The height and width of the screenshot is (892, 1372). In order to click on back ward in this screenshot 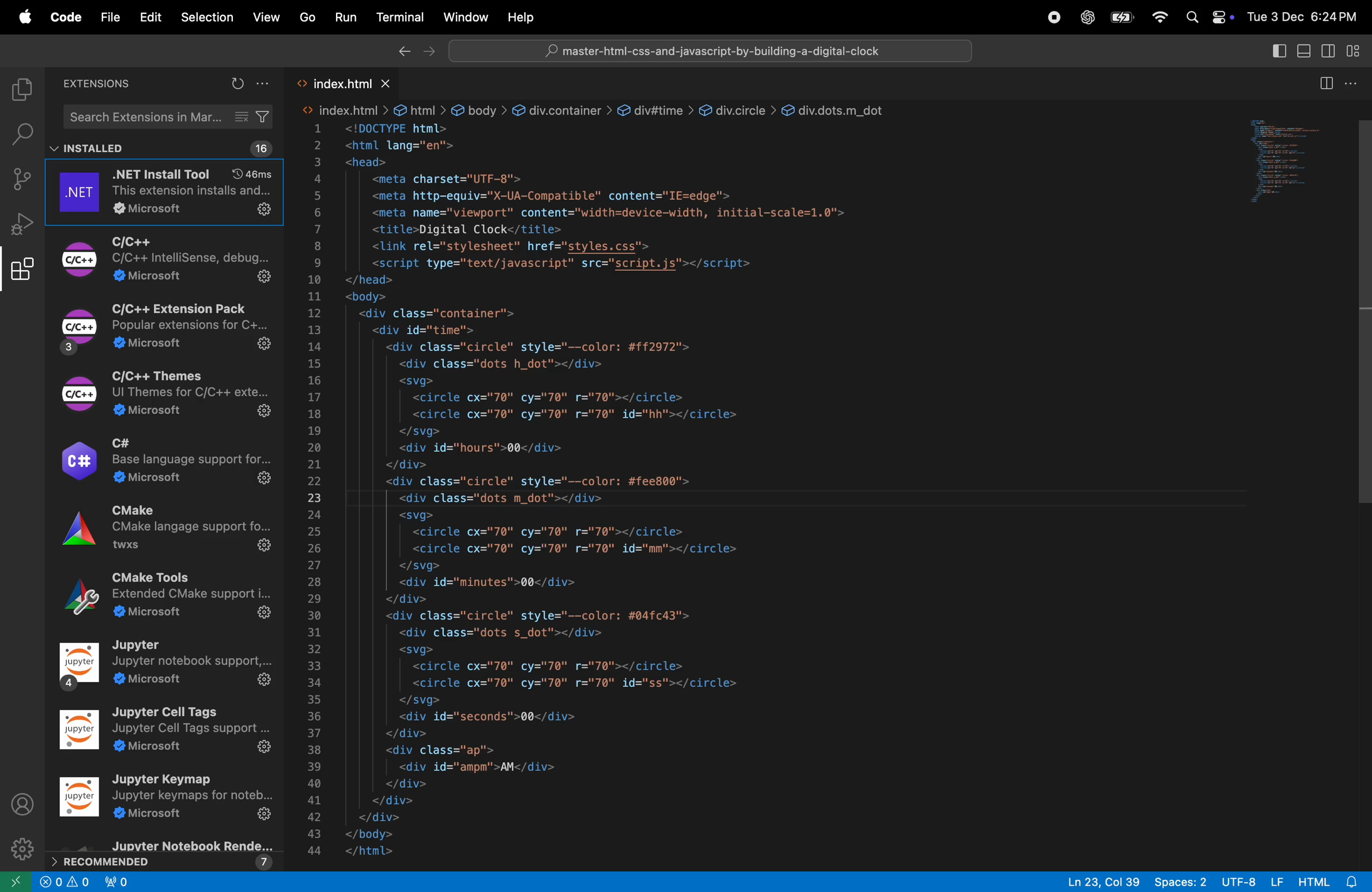, I will do `click(395, 51)`.